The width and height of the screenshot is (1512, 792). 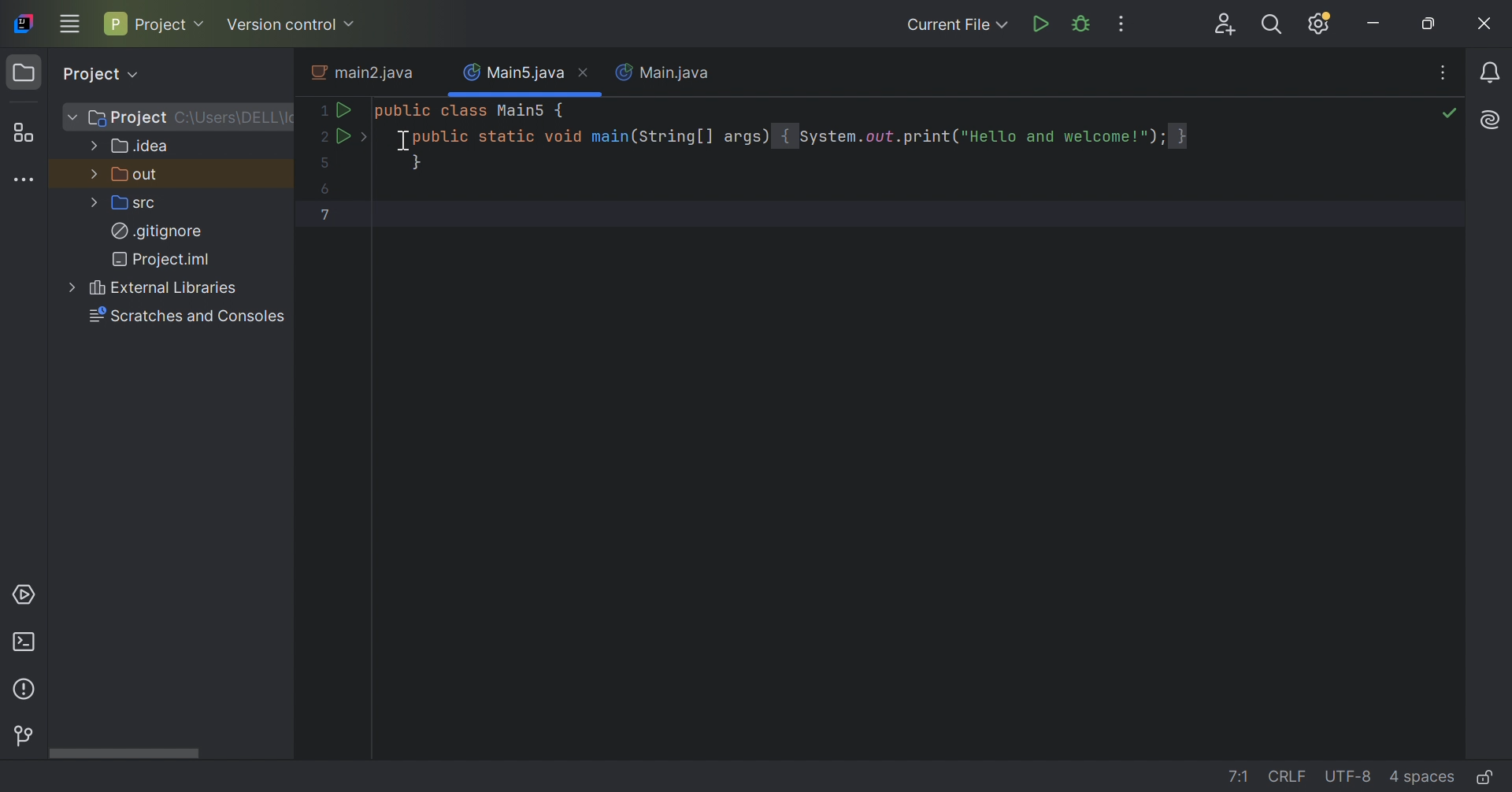 What do you see at coordinates (322, 111) in the screenshot?
I see `1` at bounding box center [322, 111].